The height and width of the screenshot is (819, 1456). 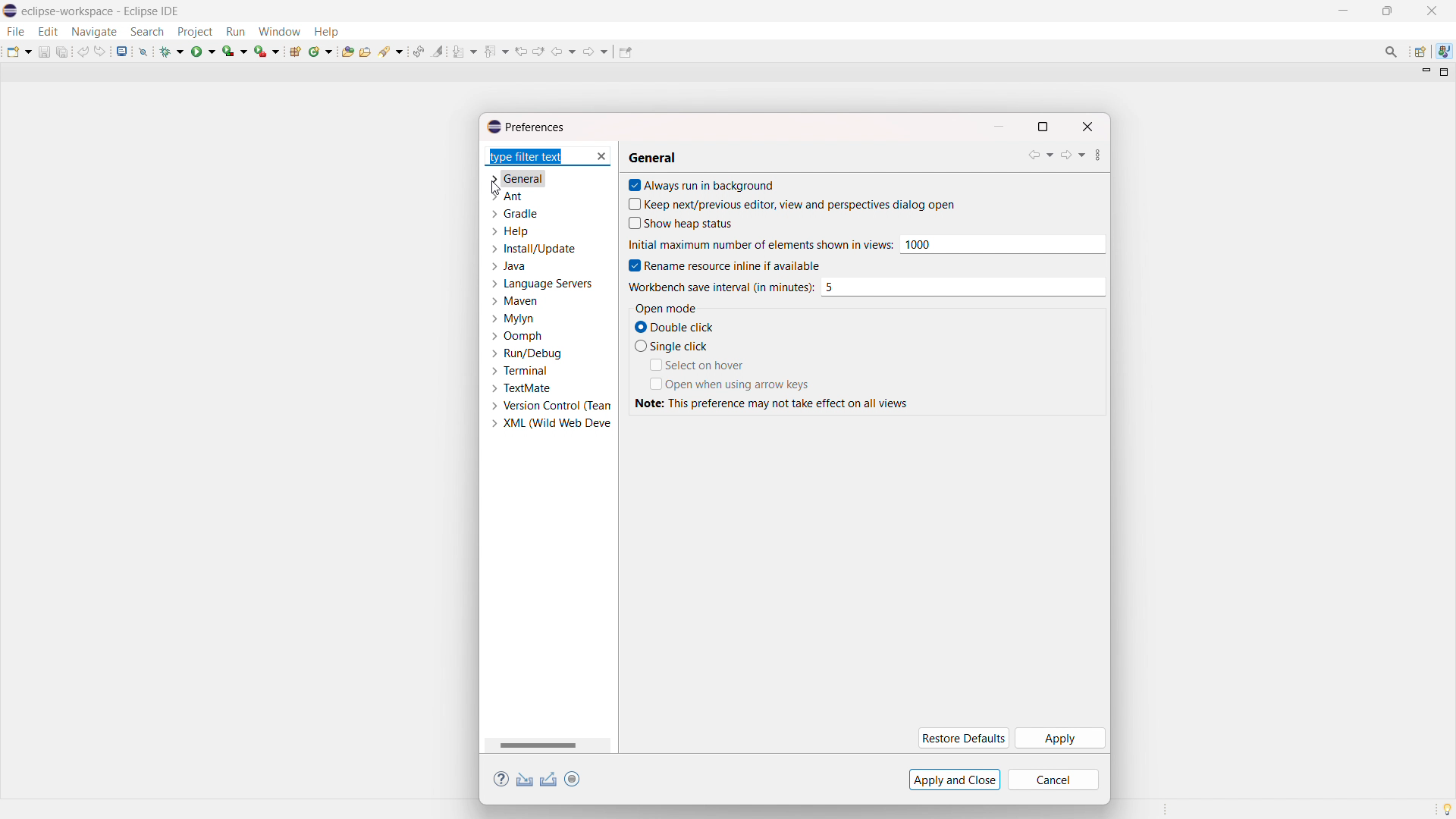 What do you see at coordinates (268, 51) in the screenshot?
I see `run last tool` at bounding box center [268, 51].